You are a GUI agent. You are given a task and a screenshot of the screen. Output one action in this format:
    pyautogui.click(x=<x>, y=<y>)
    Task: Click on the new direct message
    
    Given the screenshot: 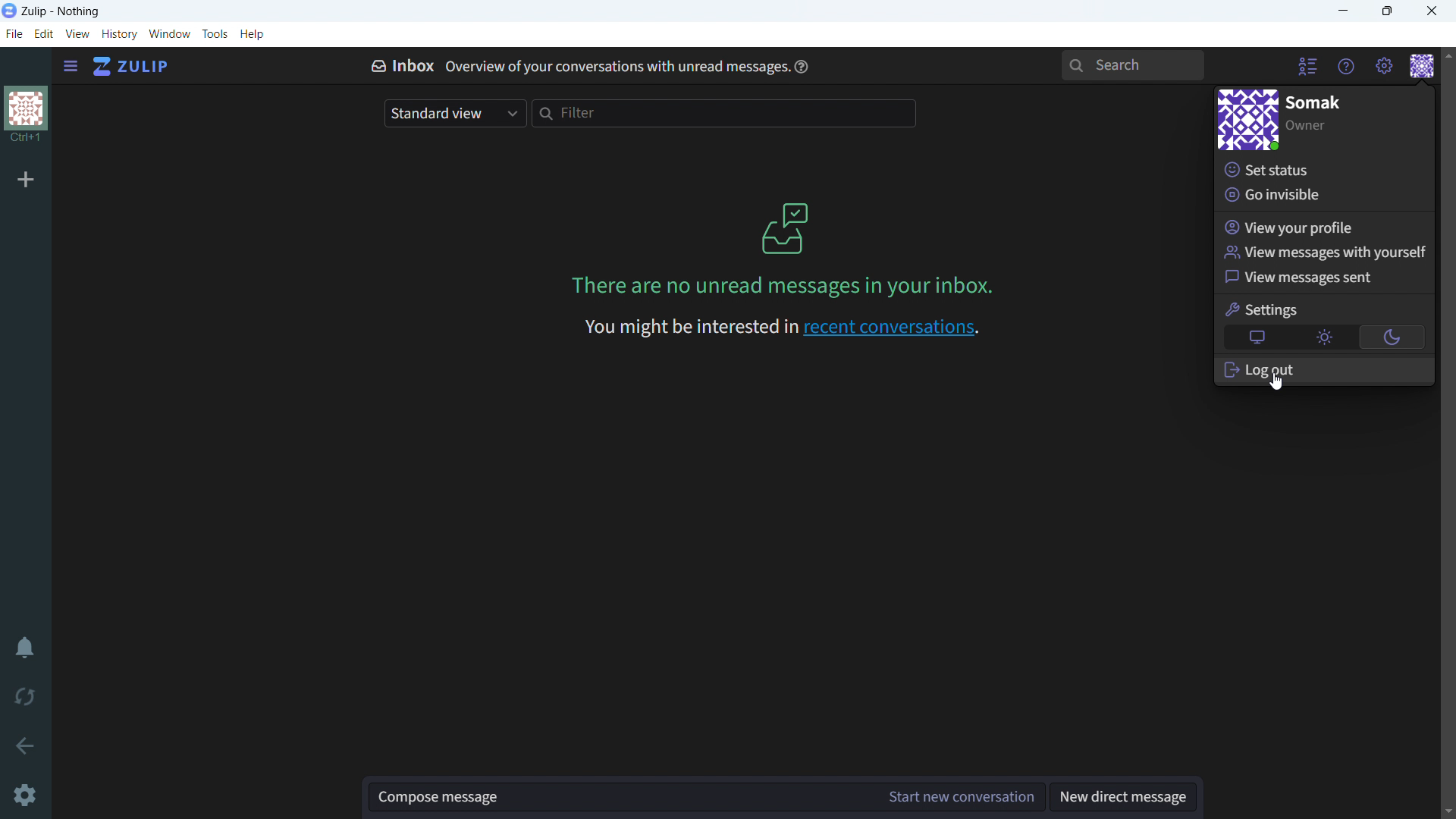 What is the action you would take?
    pyautogui.click(x=1122, y=796)
    